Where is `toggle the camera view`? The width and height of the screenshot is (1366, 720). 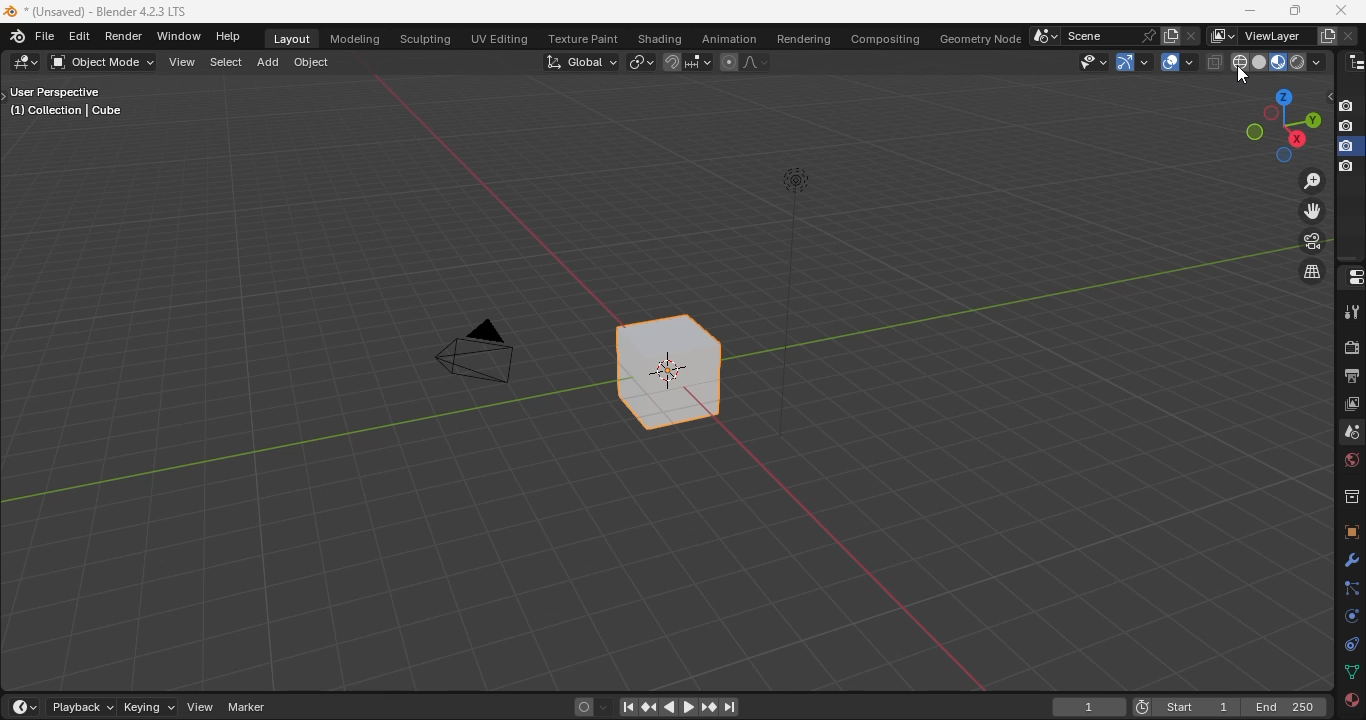
toggle the camera view is located at coordinates (1311, 241).